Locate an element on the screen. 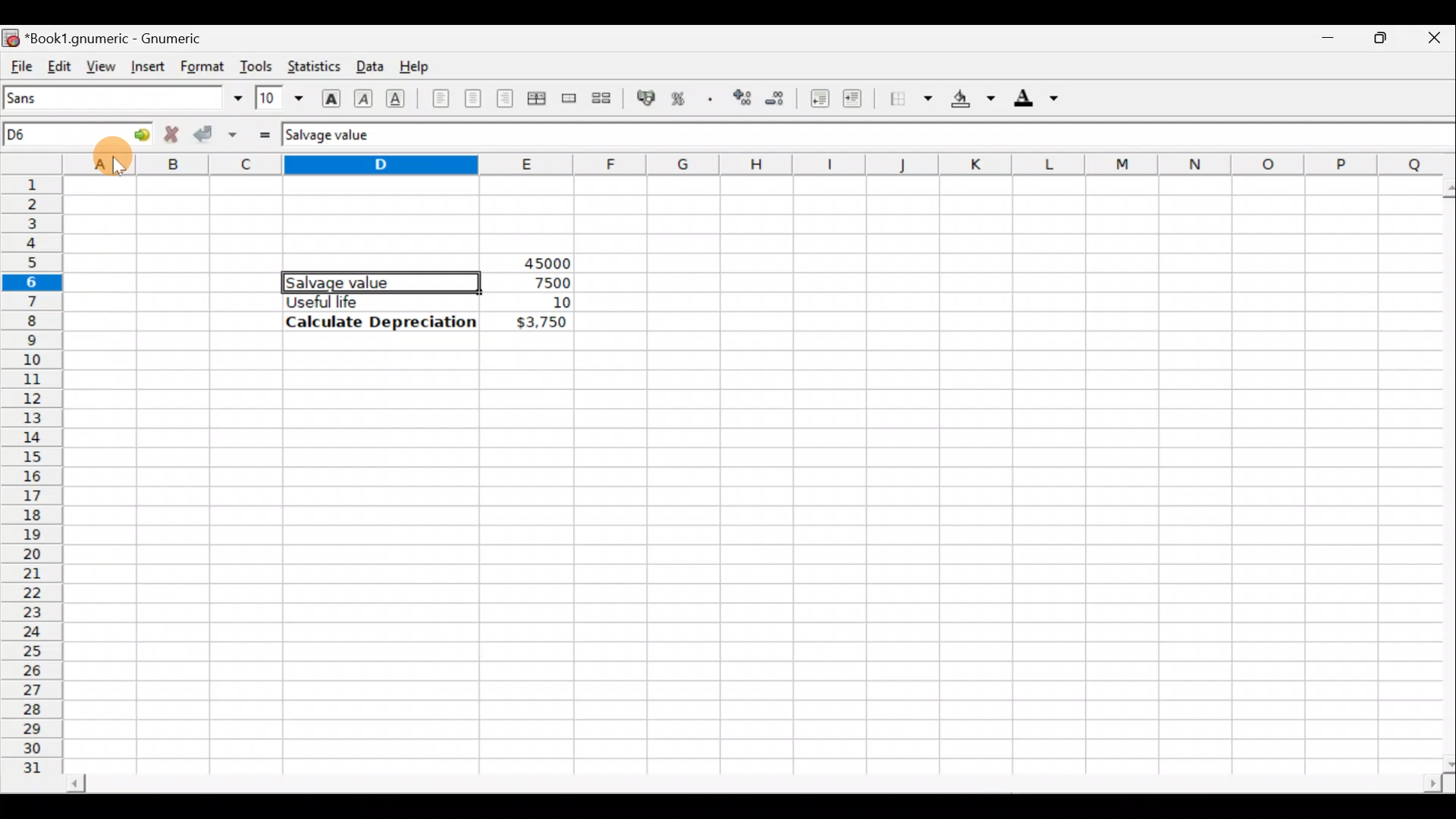 Image resolution: width=1456 pixels, height=819 pixels. Borders is located at coordinates (911, 99).